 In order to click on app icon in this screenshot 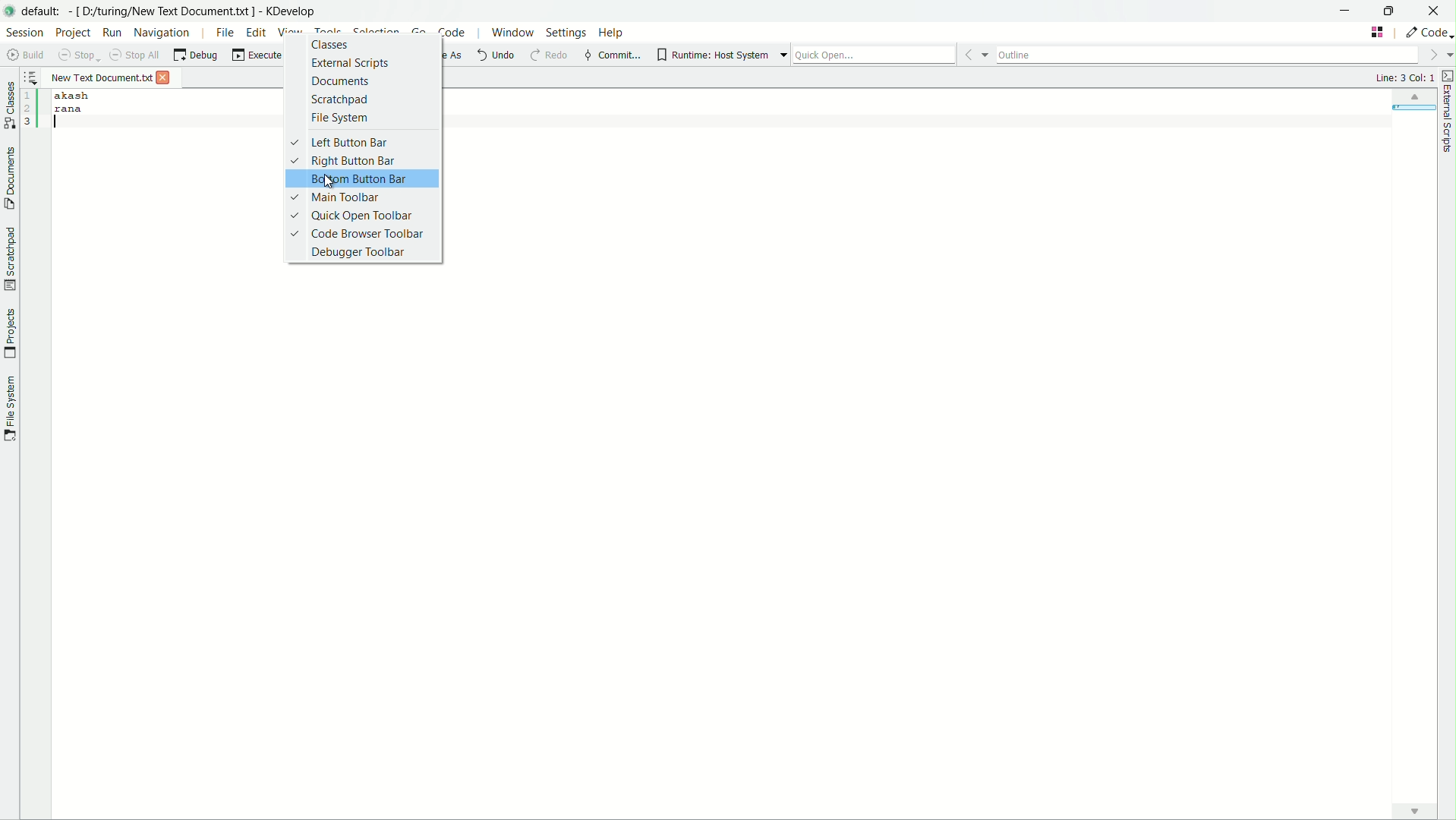, I will do `click(10, 12)`.